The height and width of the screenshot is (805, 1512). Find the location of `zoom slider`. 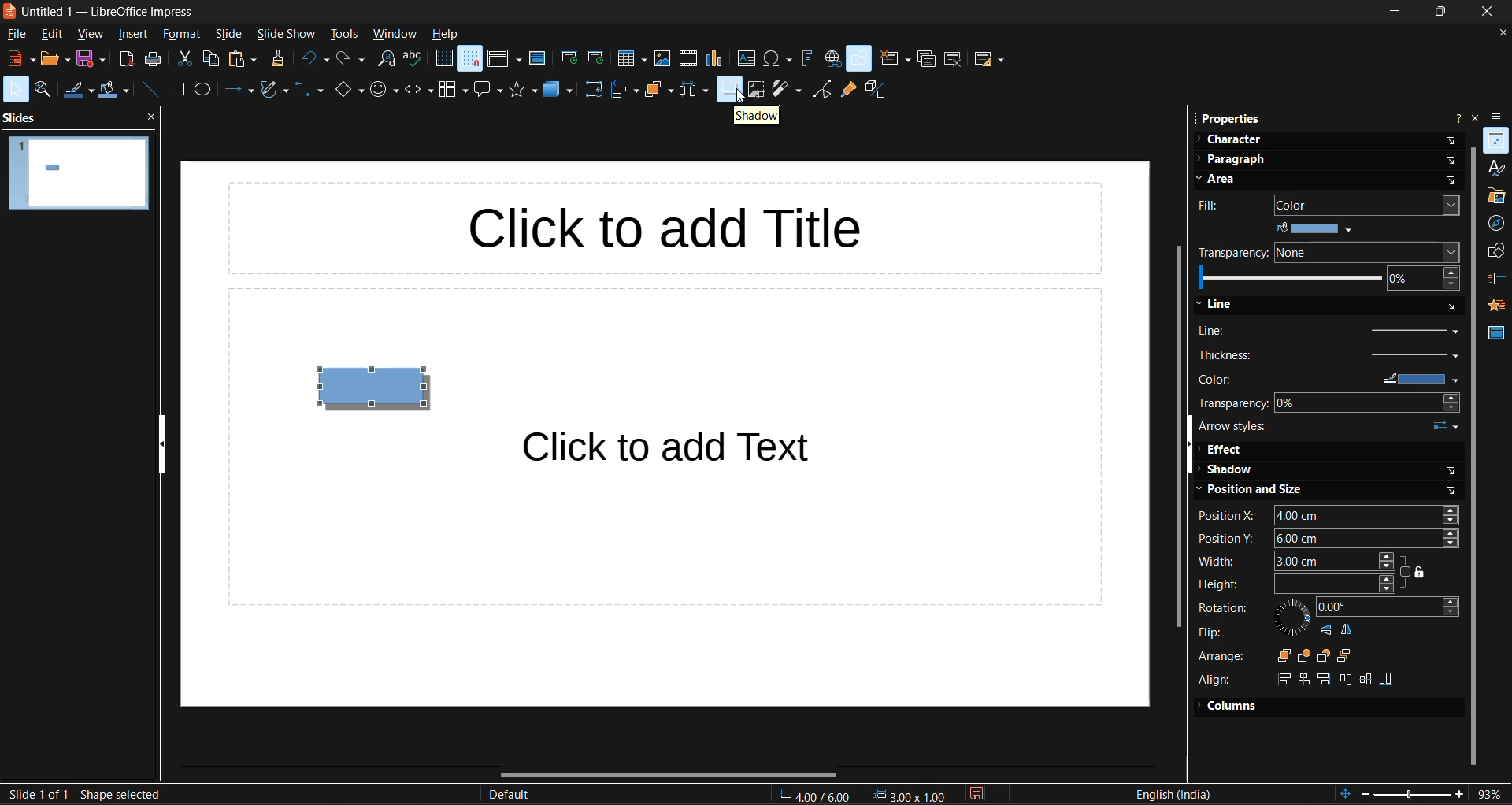

zoom slider is located at coordinates (1415, 796).